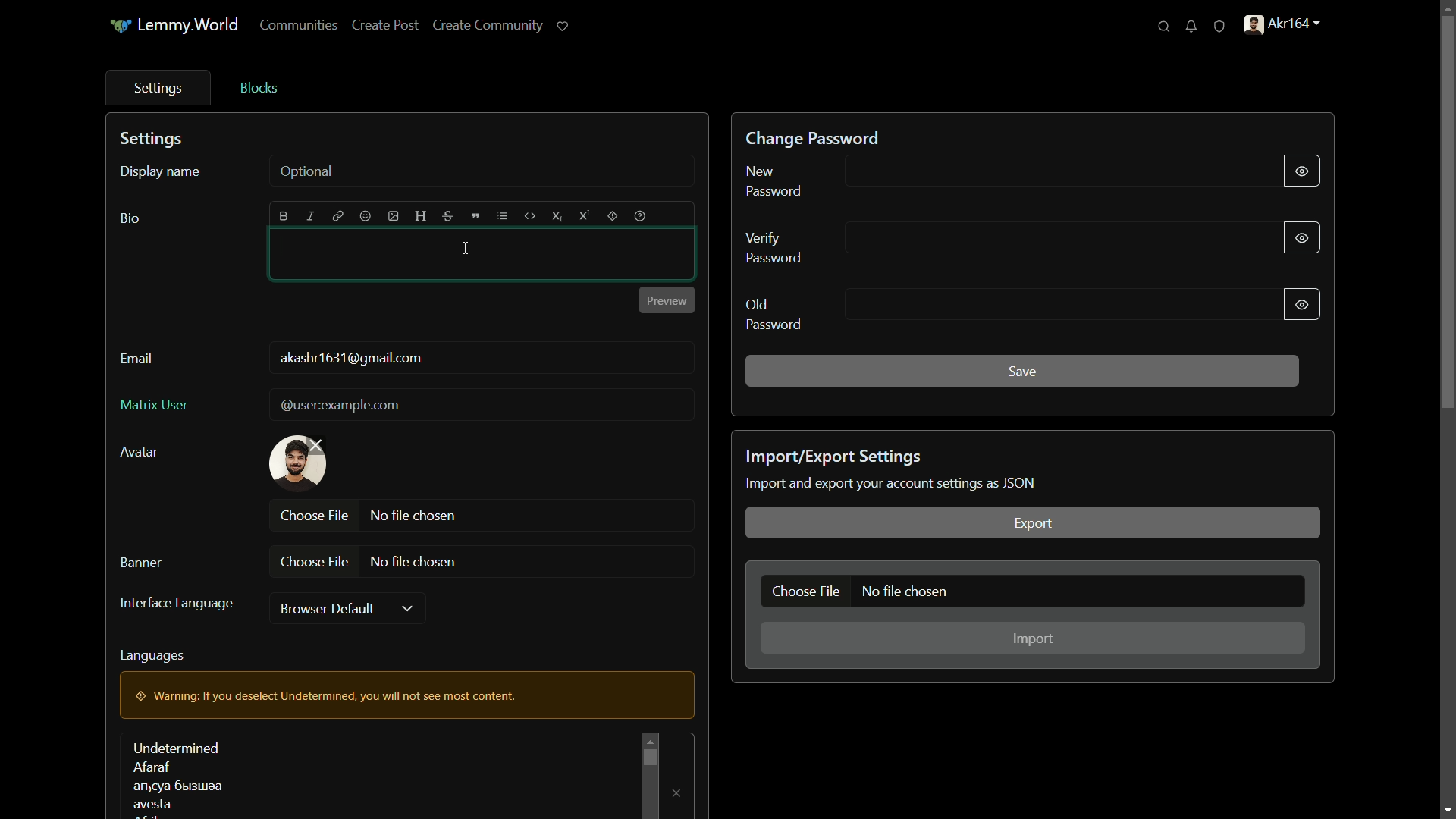 The image size is (1456, 819). Describe the element at coordinates (1032, 522) in the screenshot. I see `export` at that location.